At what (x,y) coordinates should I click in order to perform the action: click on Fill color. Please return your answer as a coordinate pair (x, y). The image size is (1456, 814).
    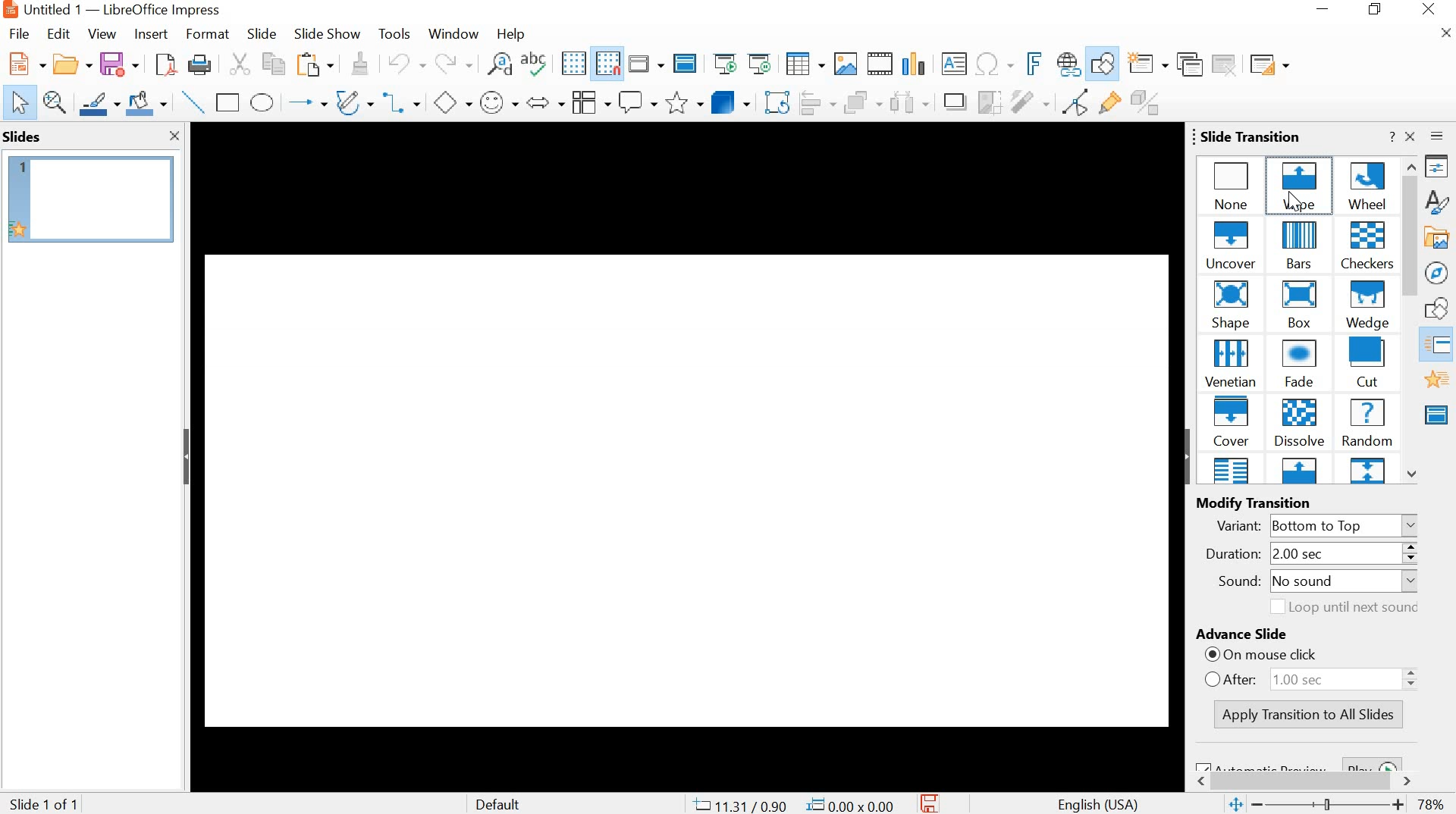
    Looking at the image, I should click on (146, 103).